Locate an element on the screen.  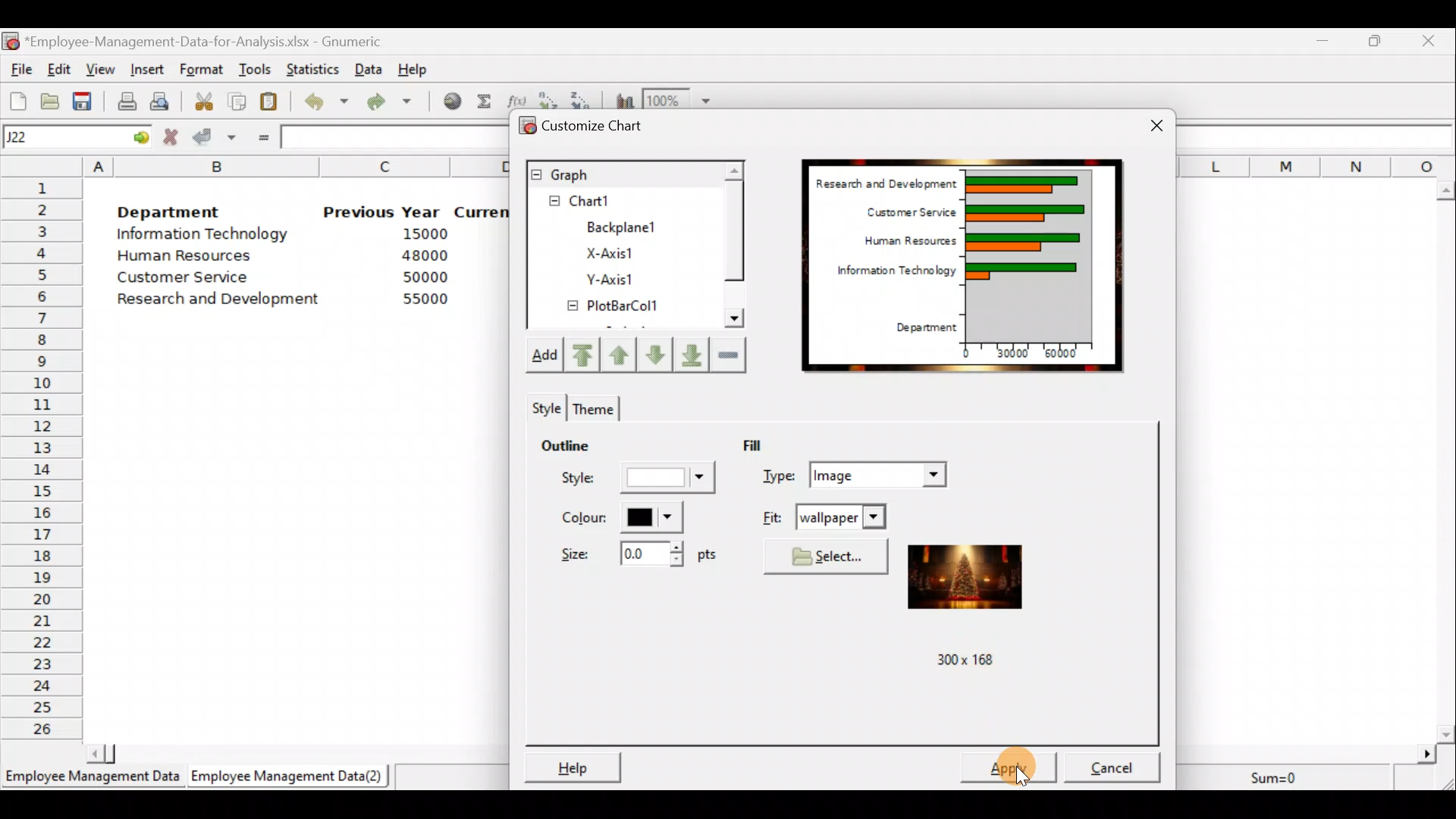
Outline is located at coordinates (587, 448).